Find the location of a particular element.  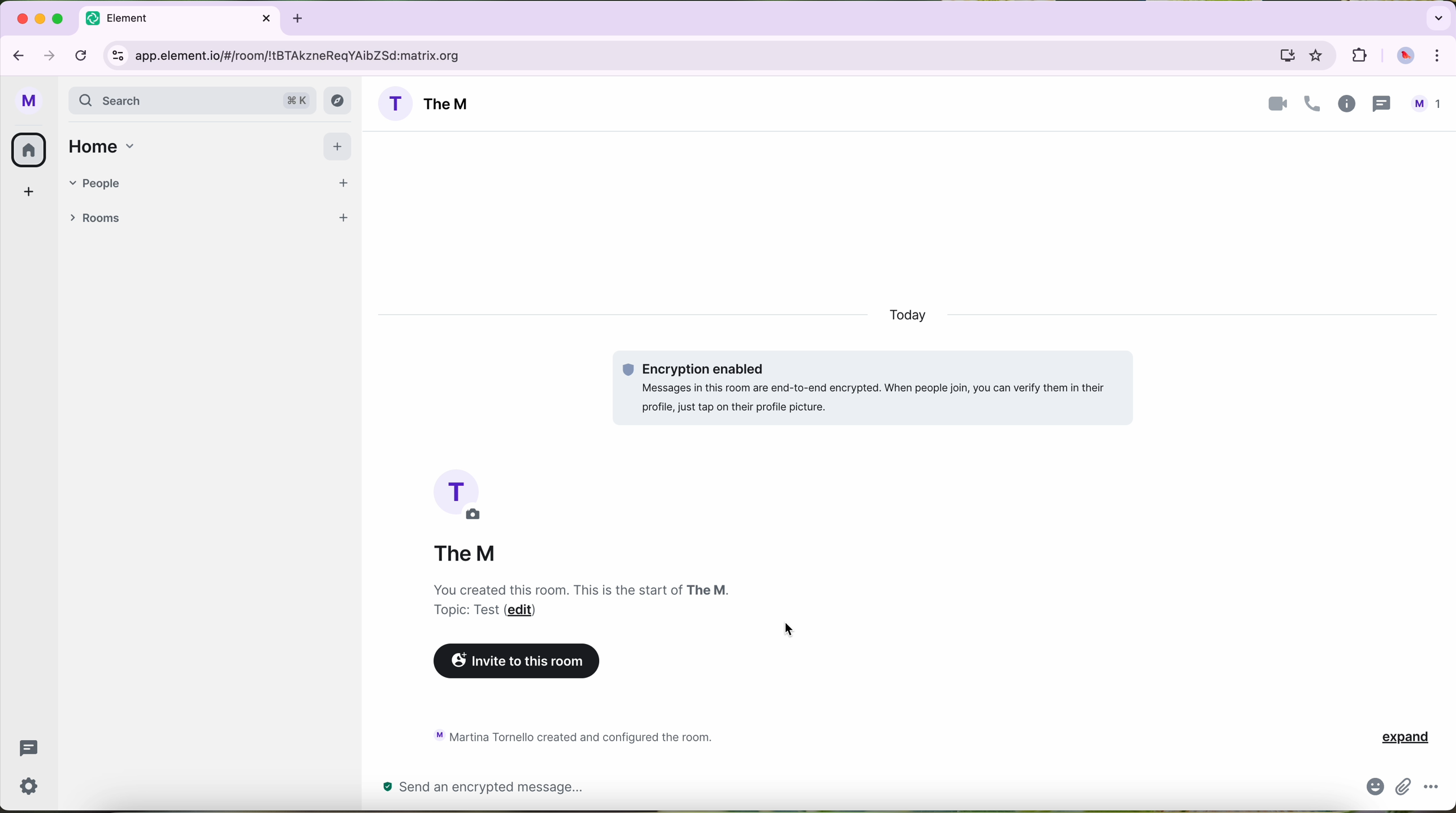

profile picture is located at coordinates (455, 498).